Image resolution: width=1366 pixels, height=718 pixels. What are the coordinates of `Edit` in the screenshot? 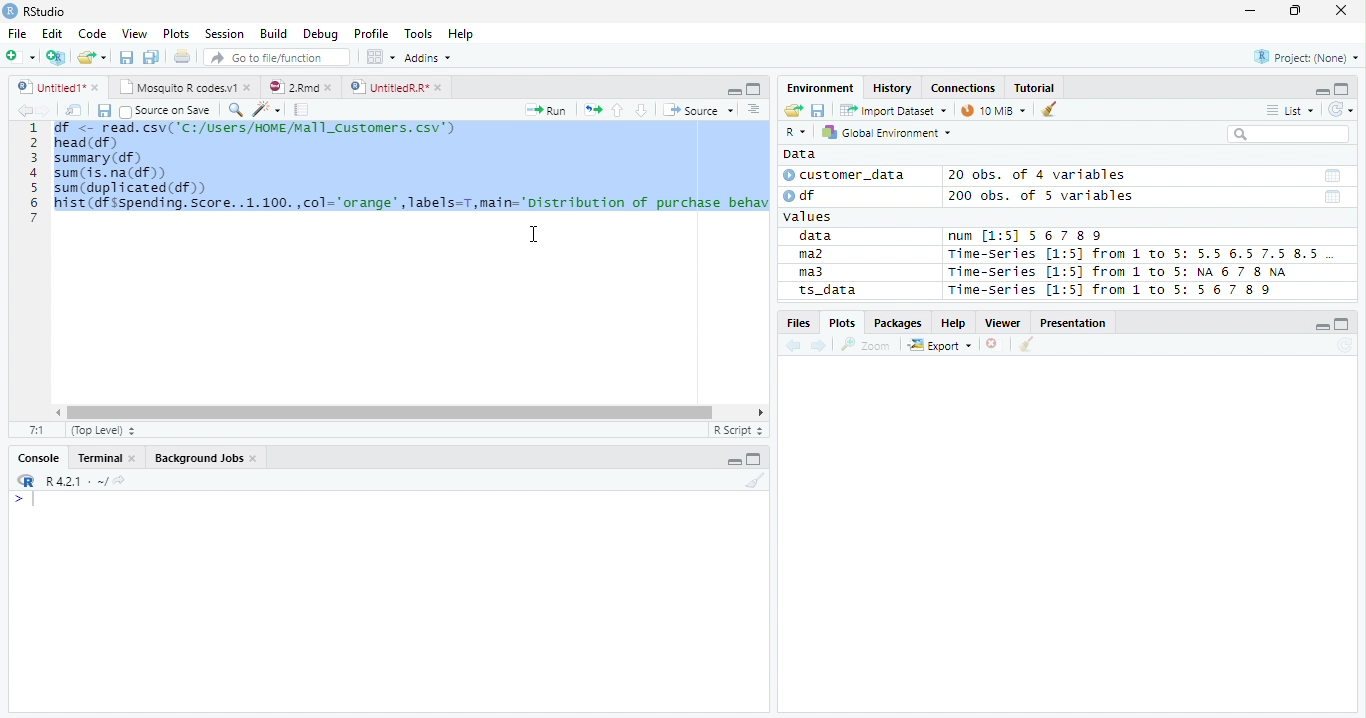 It's located at (51, 32).